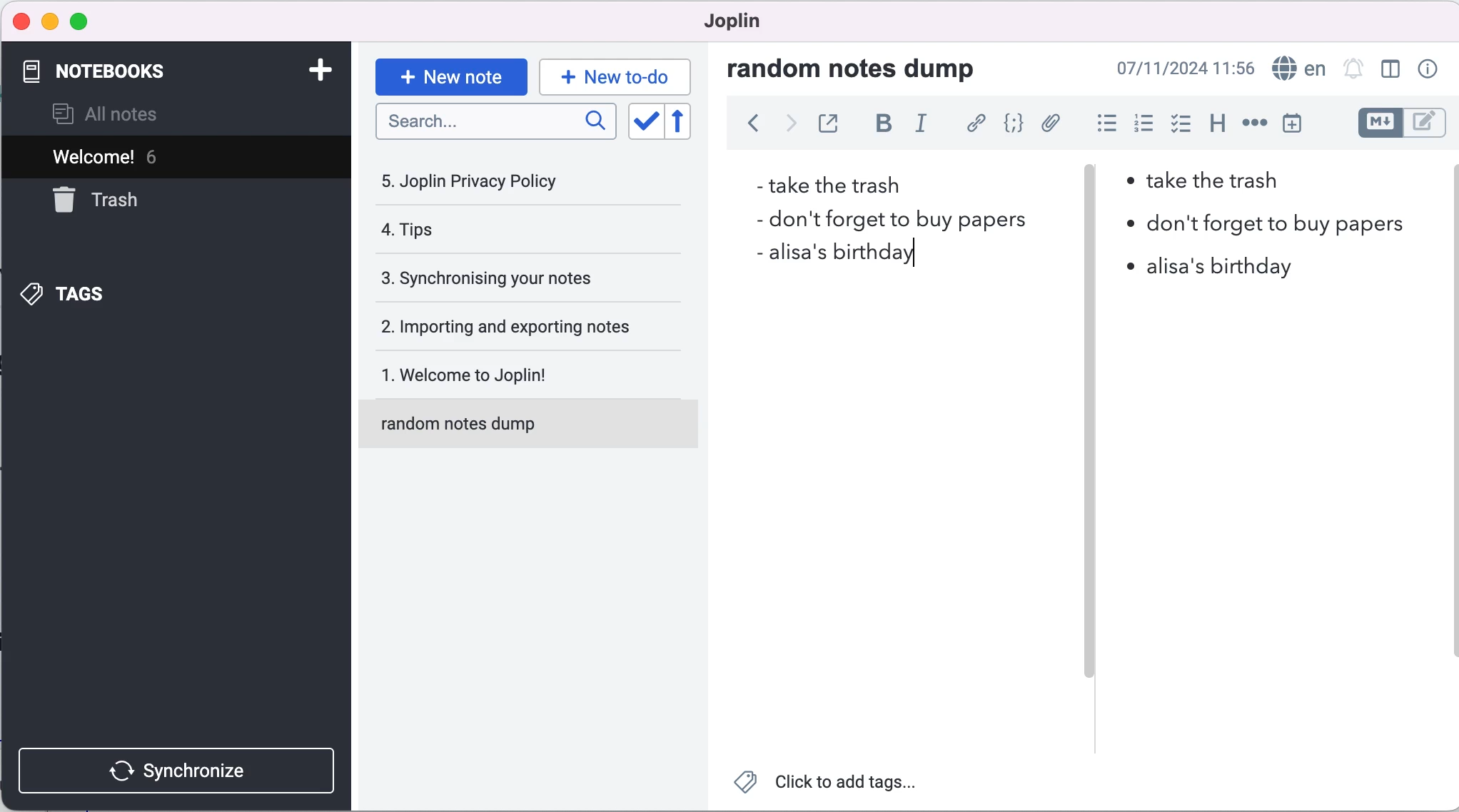 This screenshot has height=812, width=1459. Describe the element at coordinates (512, 279) in the screenshot. I see `synchronising your notes` at that location.